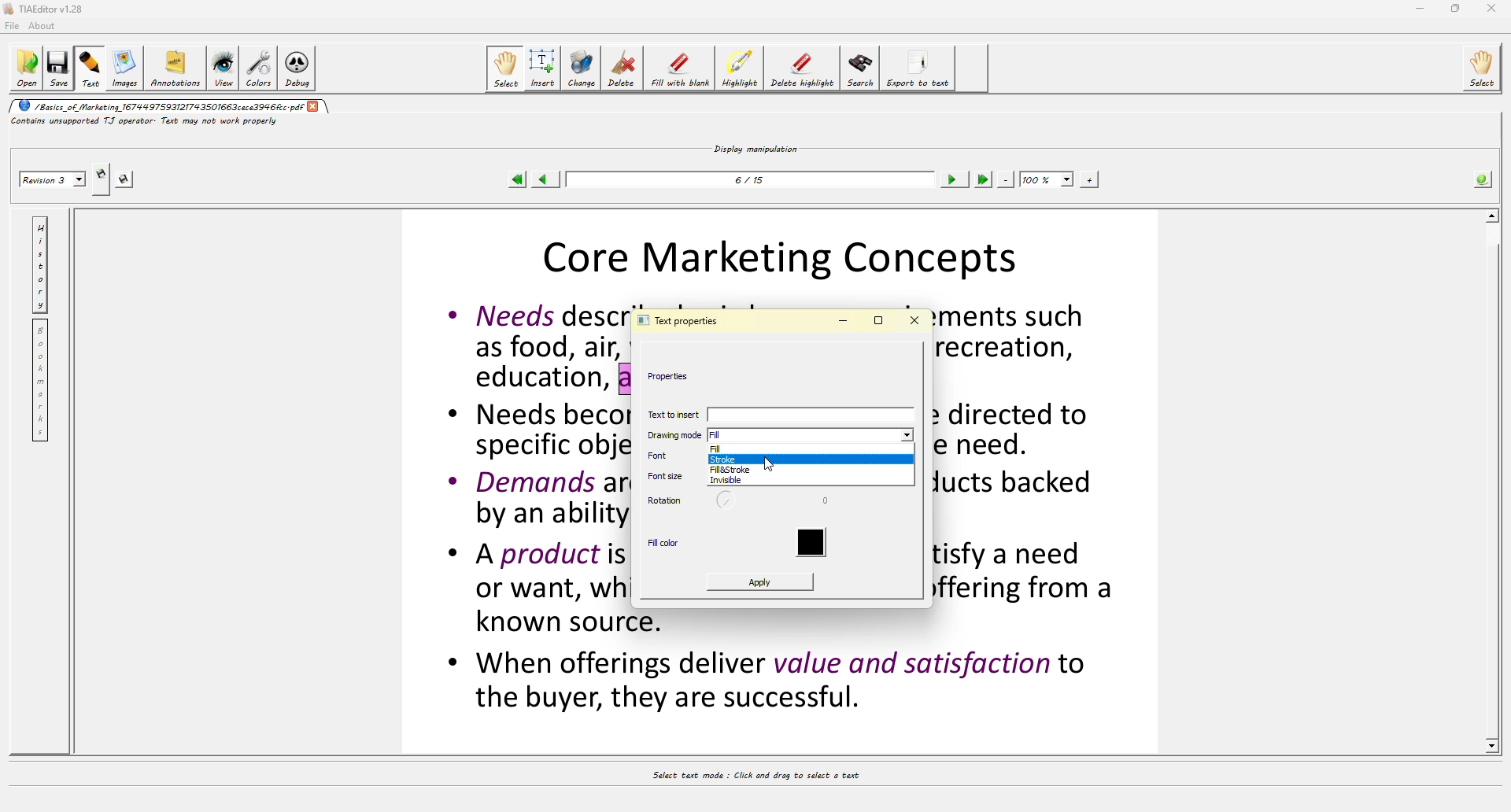  Describe the element at coordinates (768, 582) in the screenshot. I see `apply` at that location.